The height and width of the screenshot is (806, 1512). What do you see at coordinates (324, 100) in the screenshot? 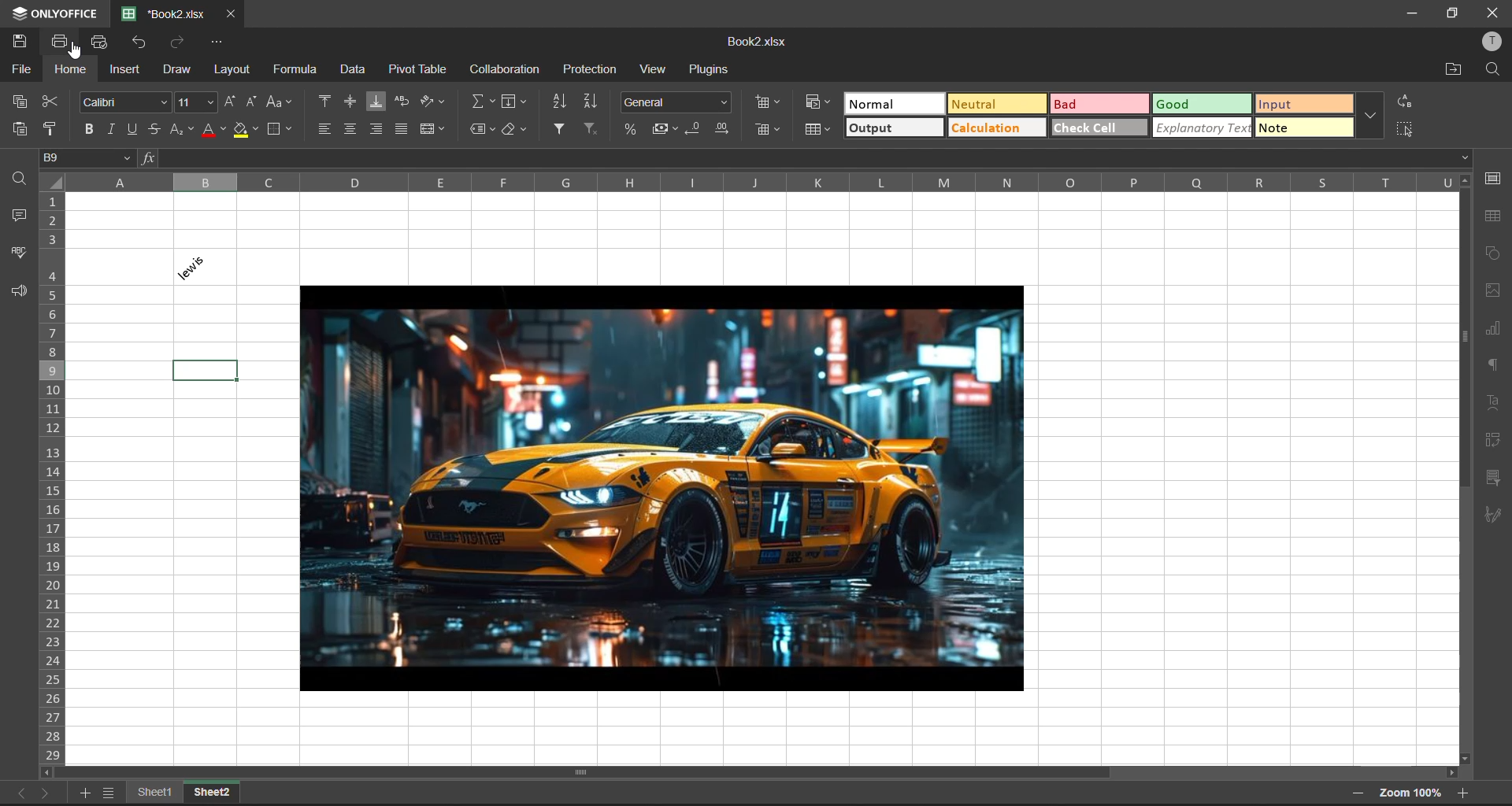
I see `align top` at bounding box center [324, 100].